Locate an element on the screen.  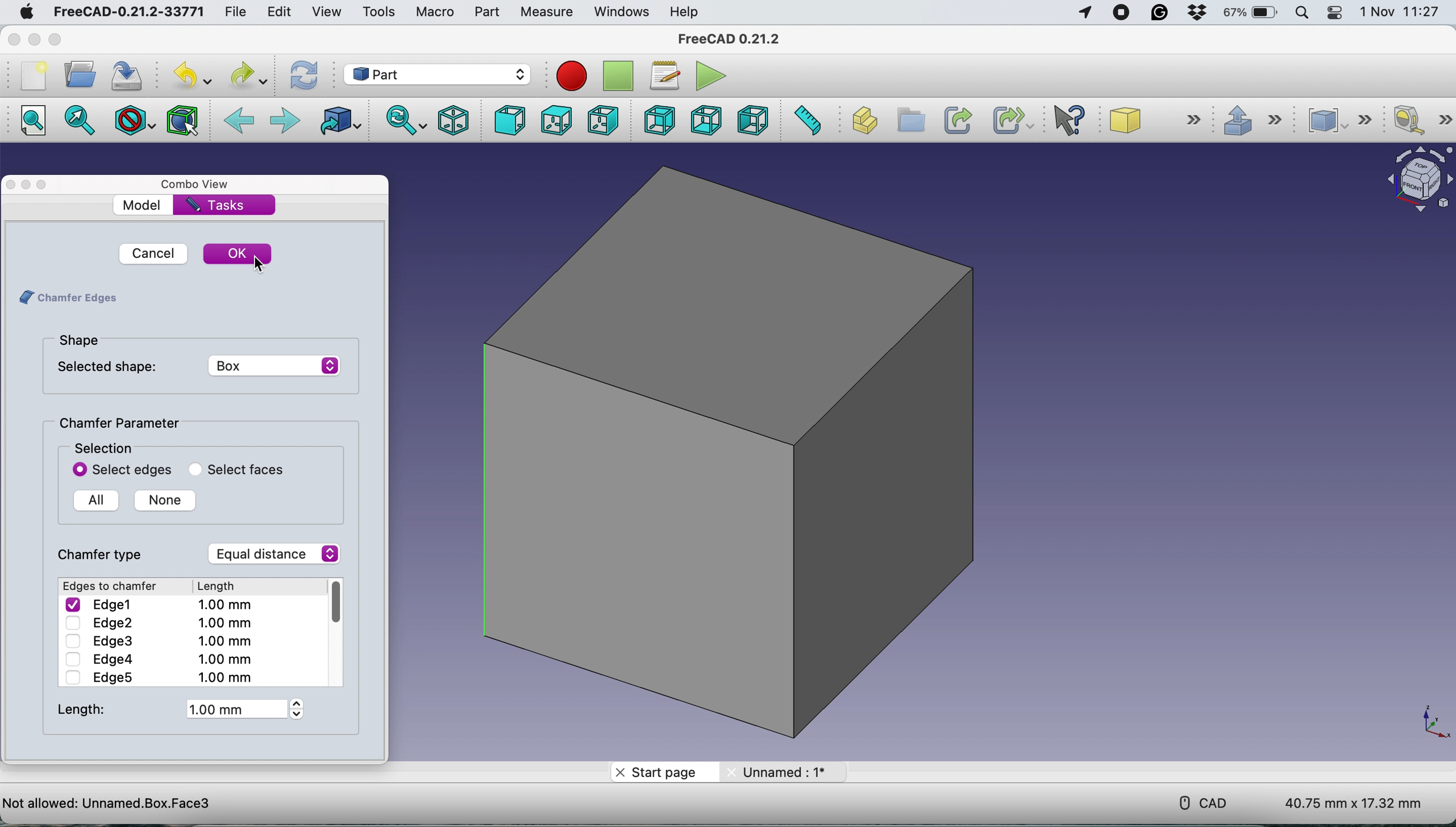
save is located at coordinates (133, 78).